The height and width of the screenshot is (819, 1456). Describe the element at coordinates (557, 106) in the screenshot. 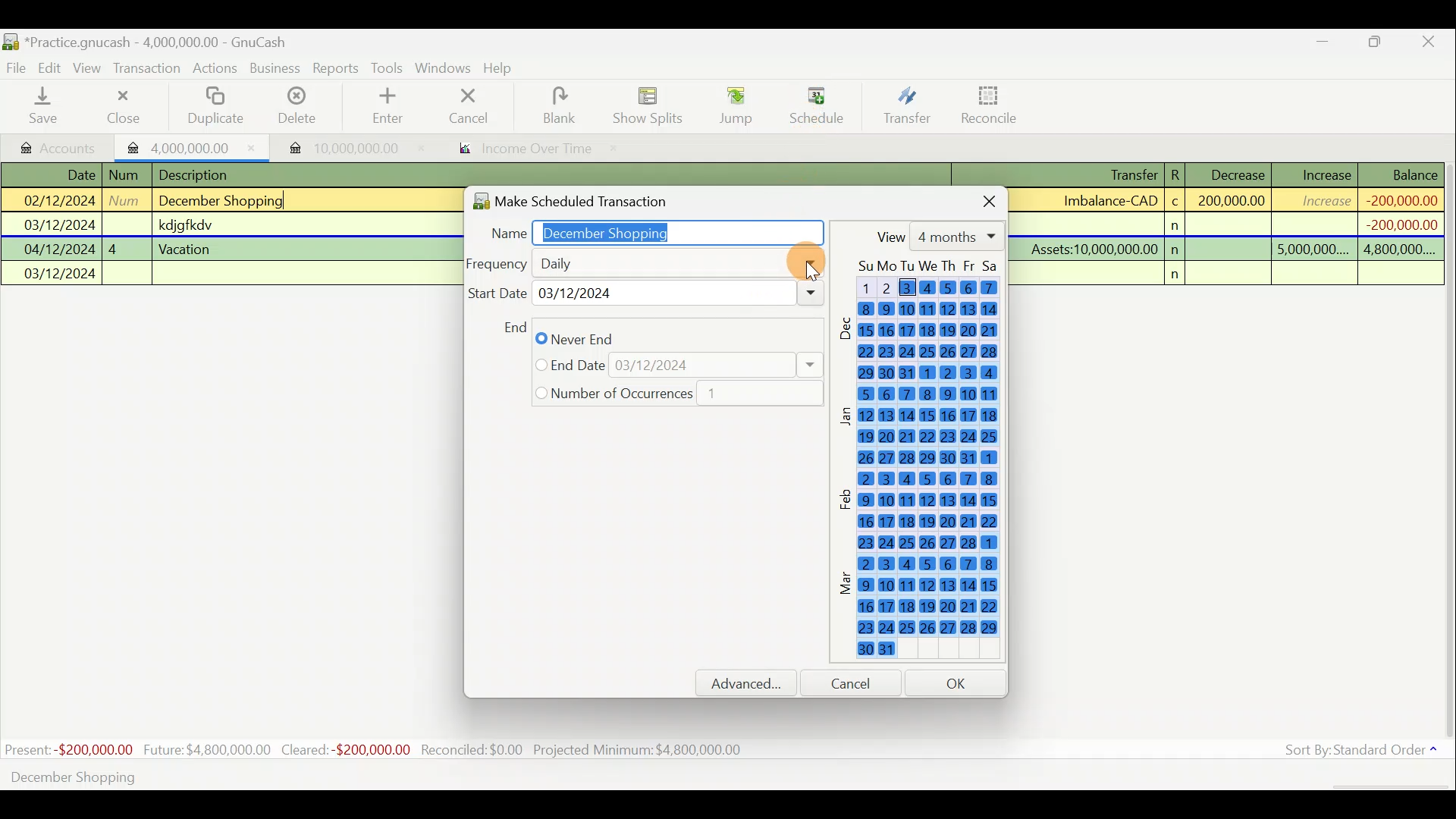

I see `Blank` at that location.